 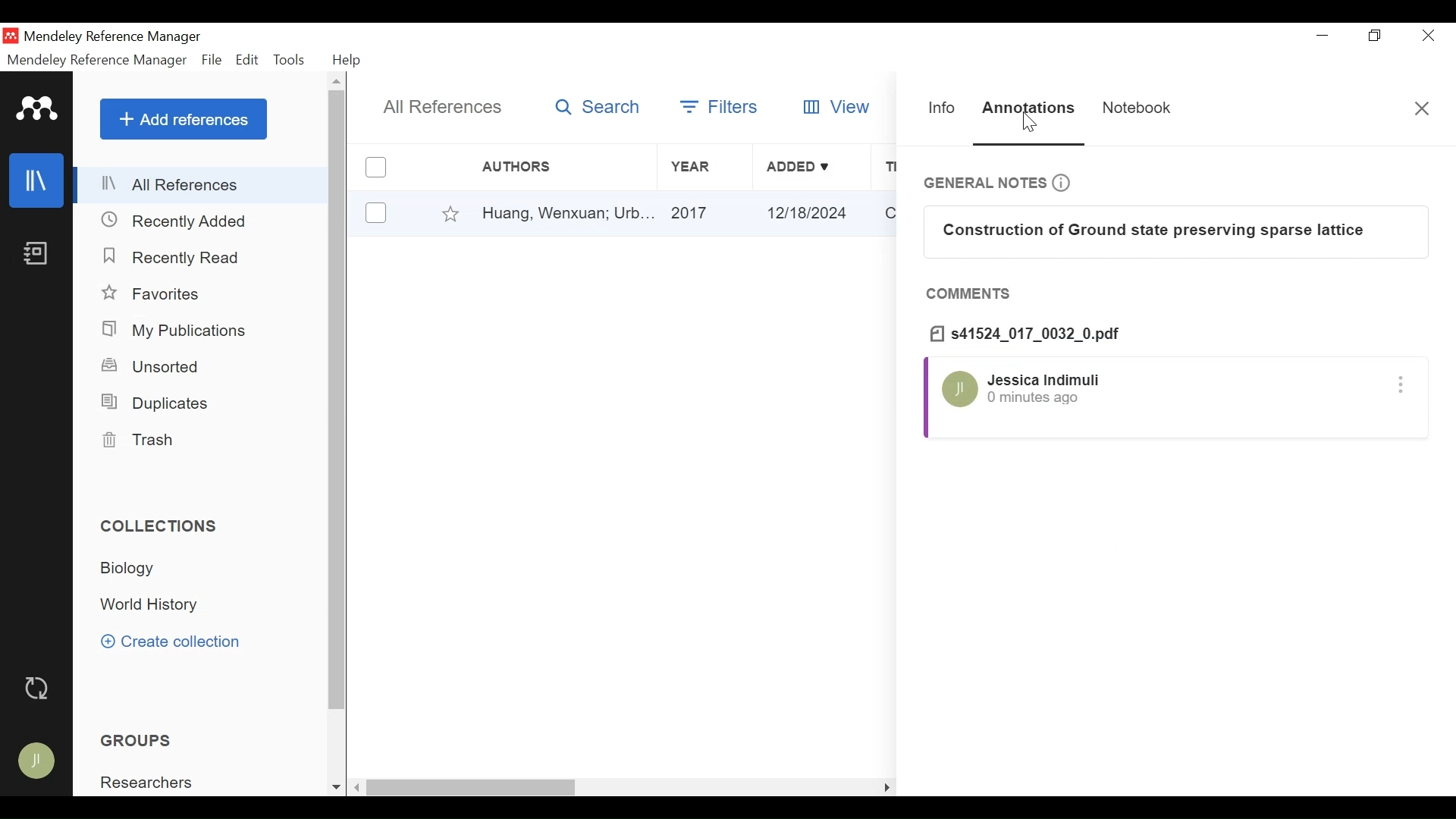 I want to click on Avatar, so click(x=959, y=391).